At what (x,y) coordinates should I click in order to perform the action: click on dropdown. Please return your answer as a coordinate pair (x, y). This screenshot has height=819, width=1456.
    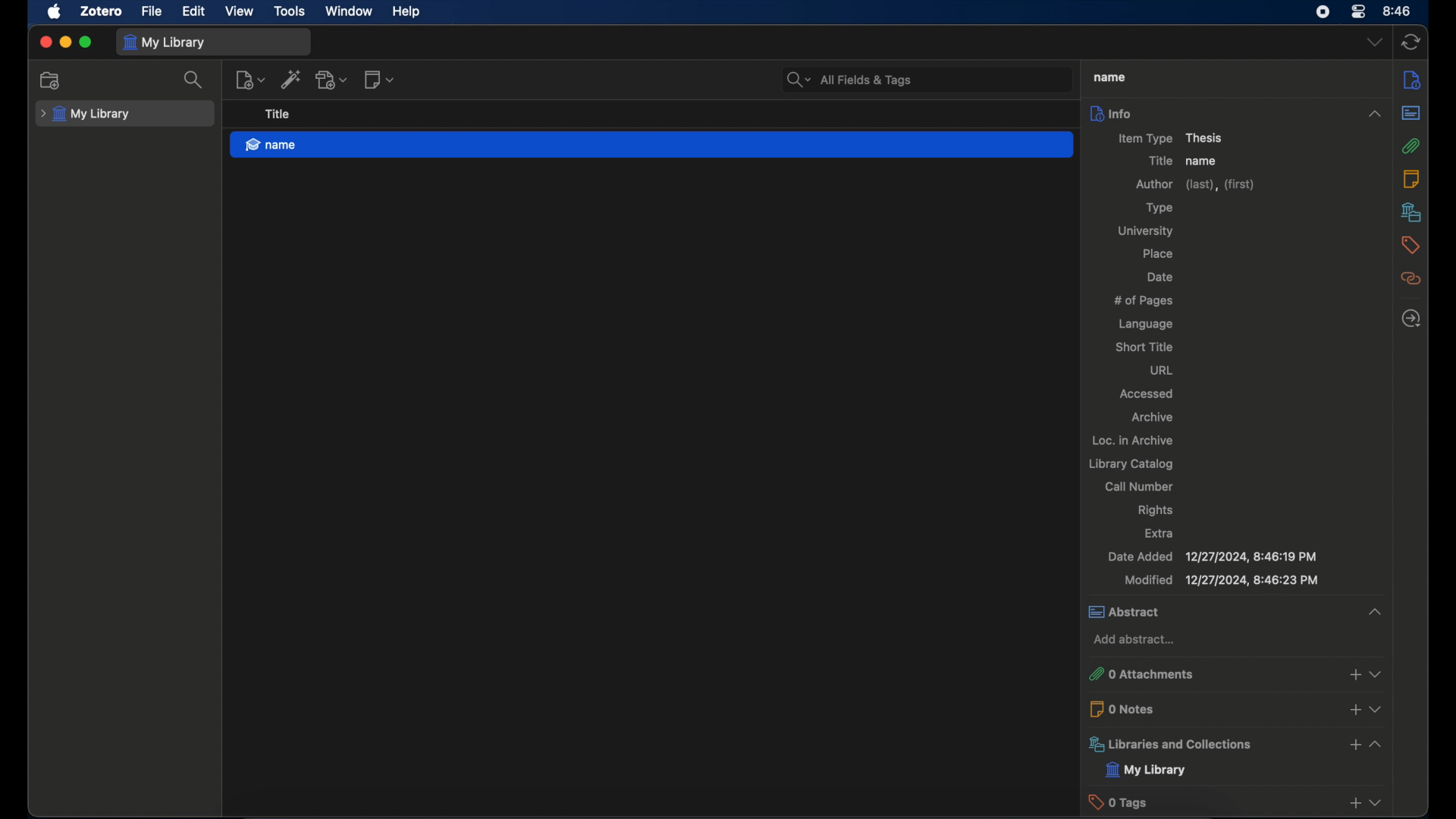
    Looking at the image, I should click on (1378, 802).